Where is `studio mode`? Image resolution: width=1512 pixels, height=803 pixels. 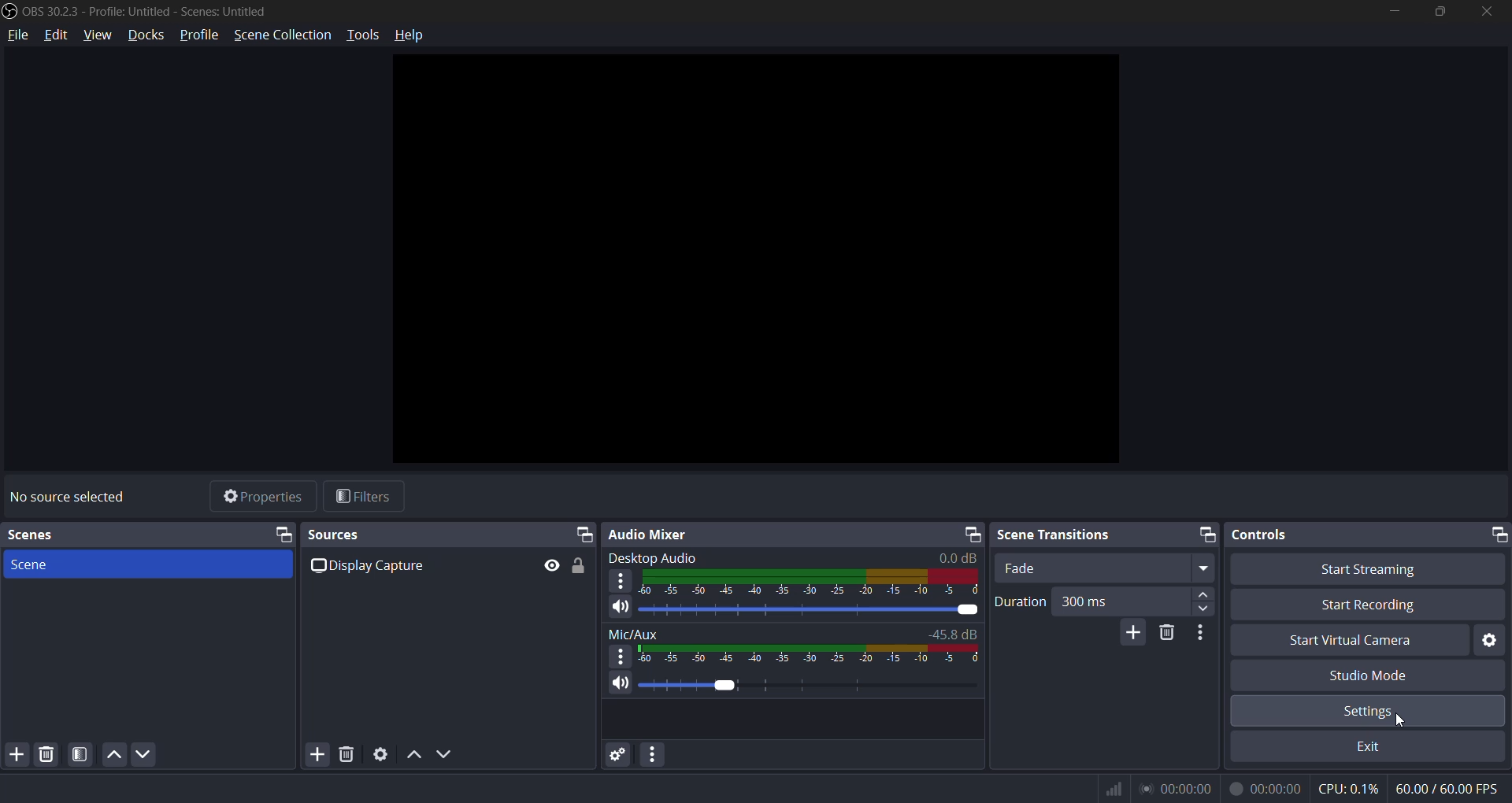 studio mode is located at coordinates (1373, 674).